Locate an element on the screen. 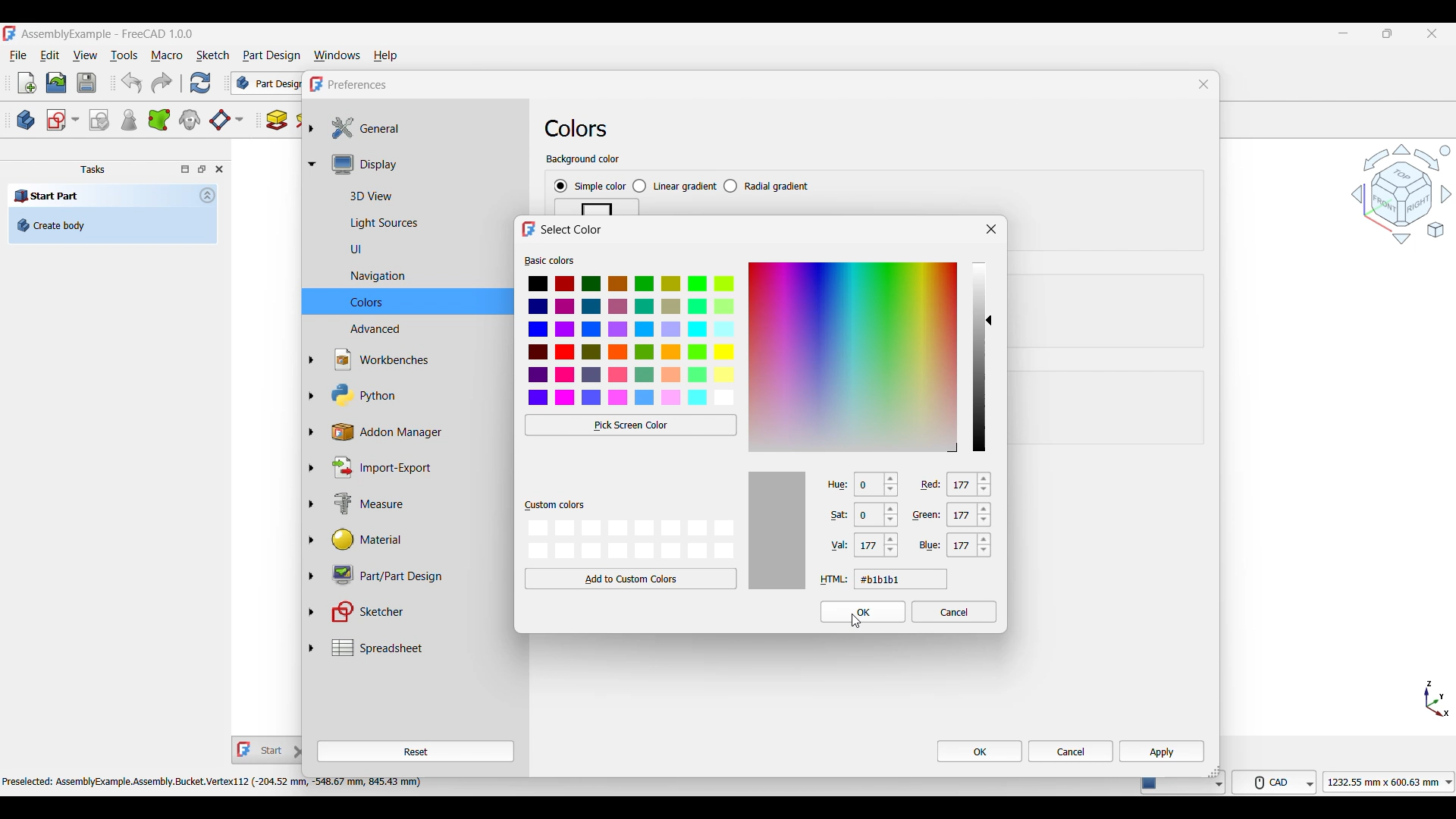 Image resolution: width=1456 pixels, height=819 pixels. Indicates text box for HTML is located at coordinates (834, 579).